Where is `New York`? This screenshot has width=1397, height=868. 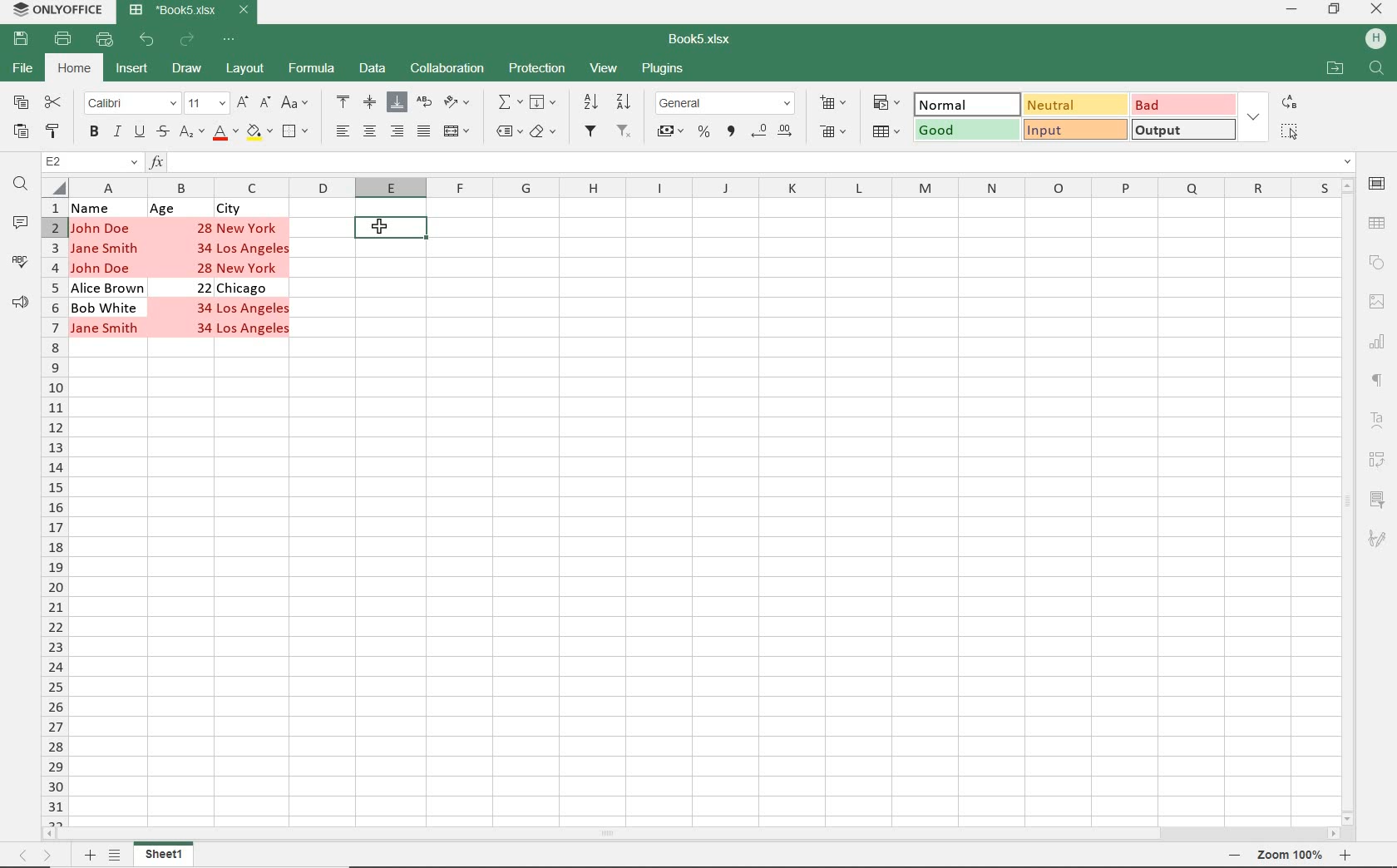
New York is located at coordinates (249, 227).